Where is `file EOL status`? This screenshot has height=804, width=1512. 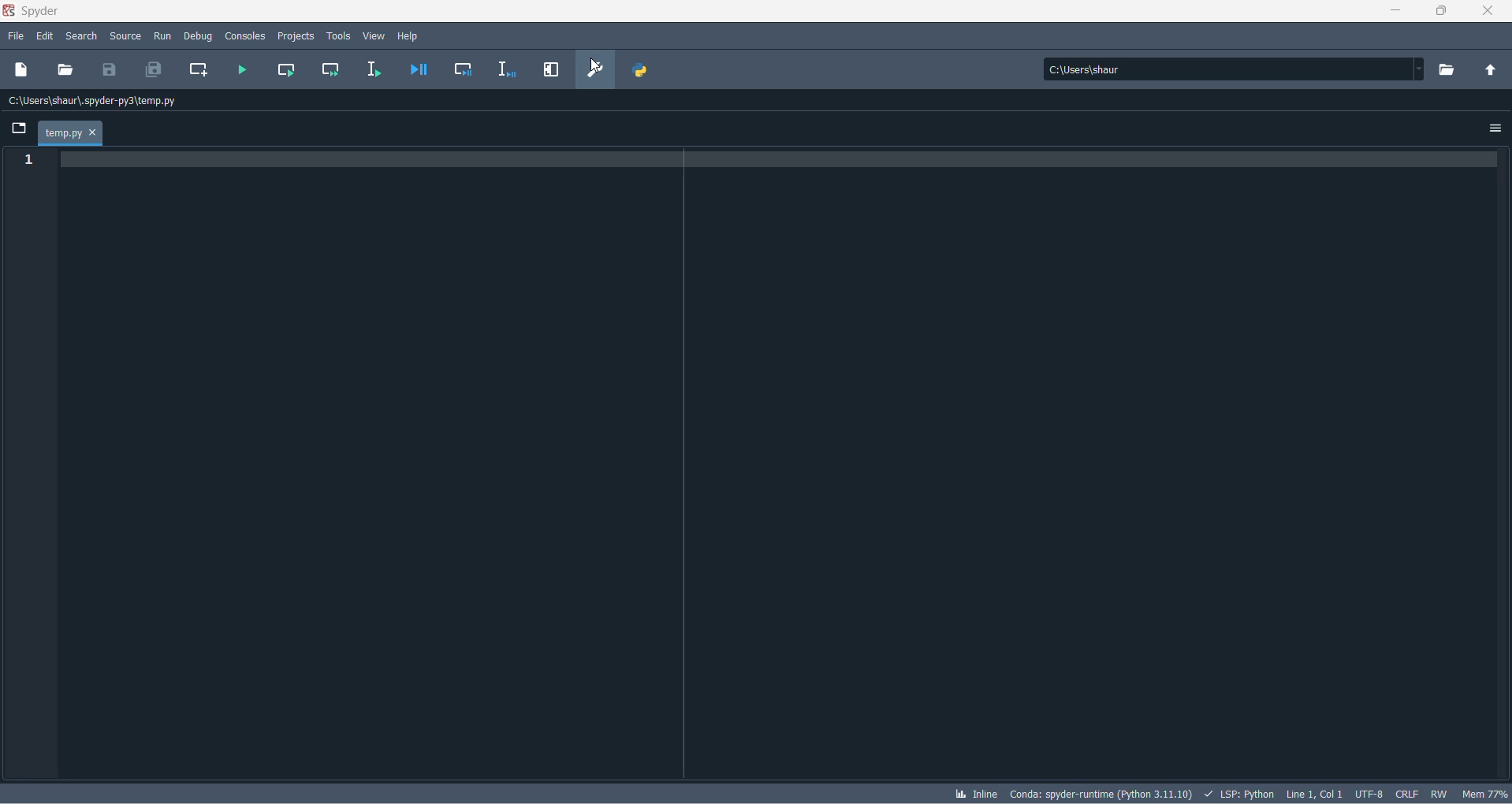
file EOL status is located at coordinates (1408, 794).